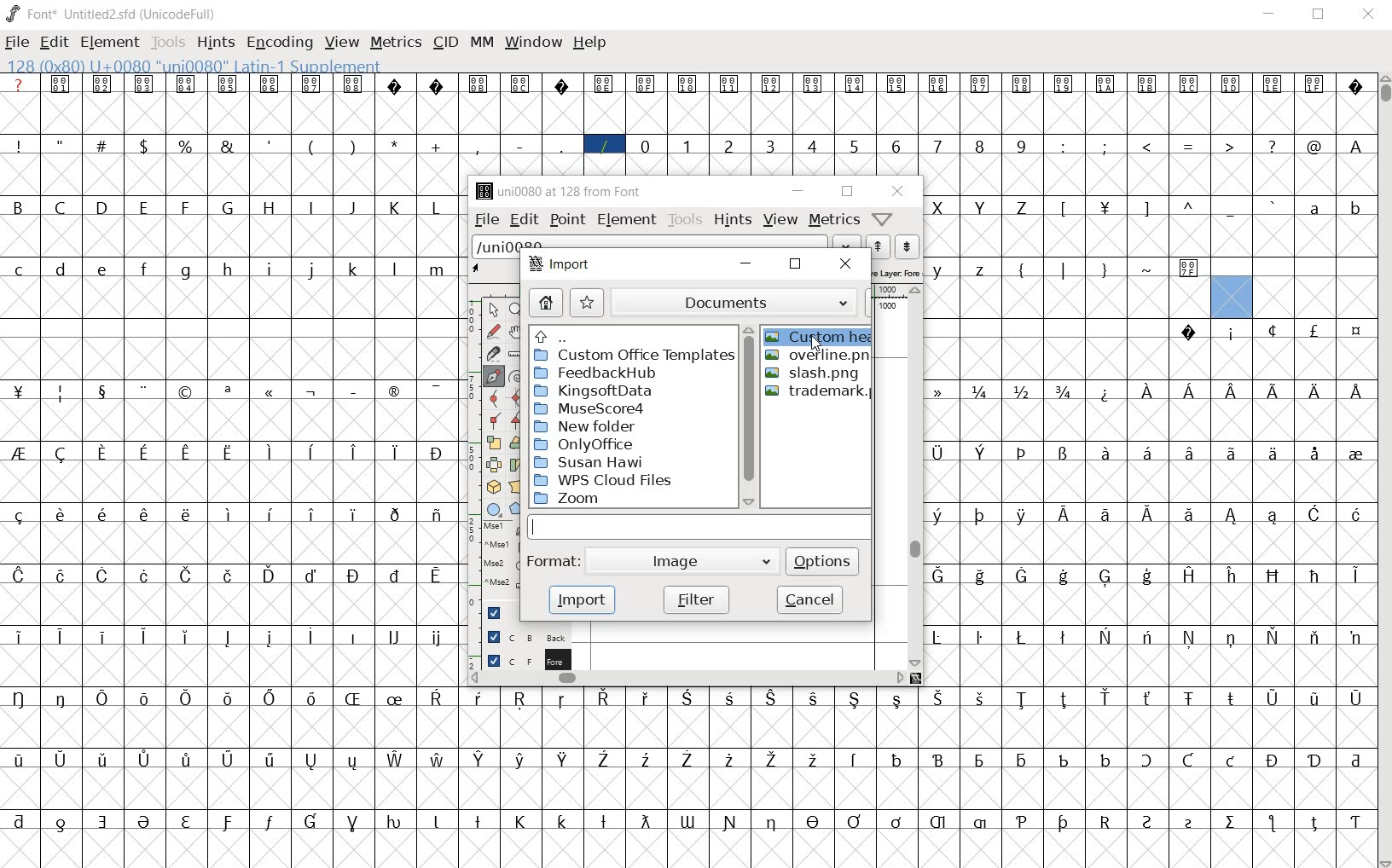  What do you see at coordinates (229, 269) in the screenshot?
I see `glyph` at bounding box center [229, 269].